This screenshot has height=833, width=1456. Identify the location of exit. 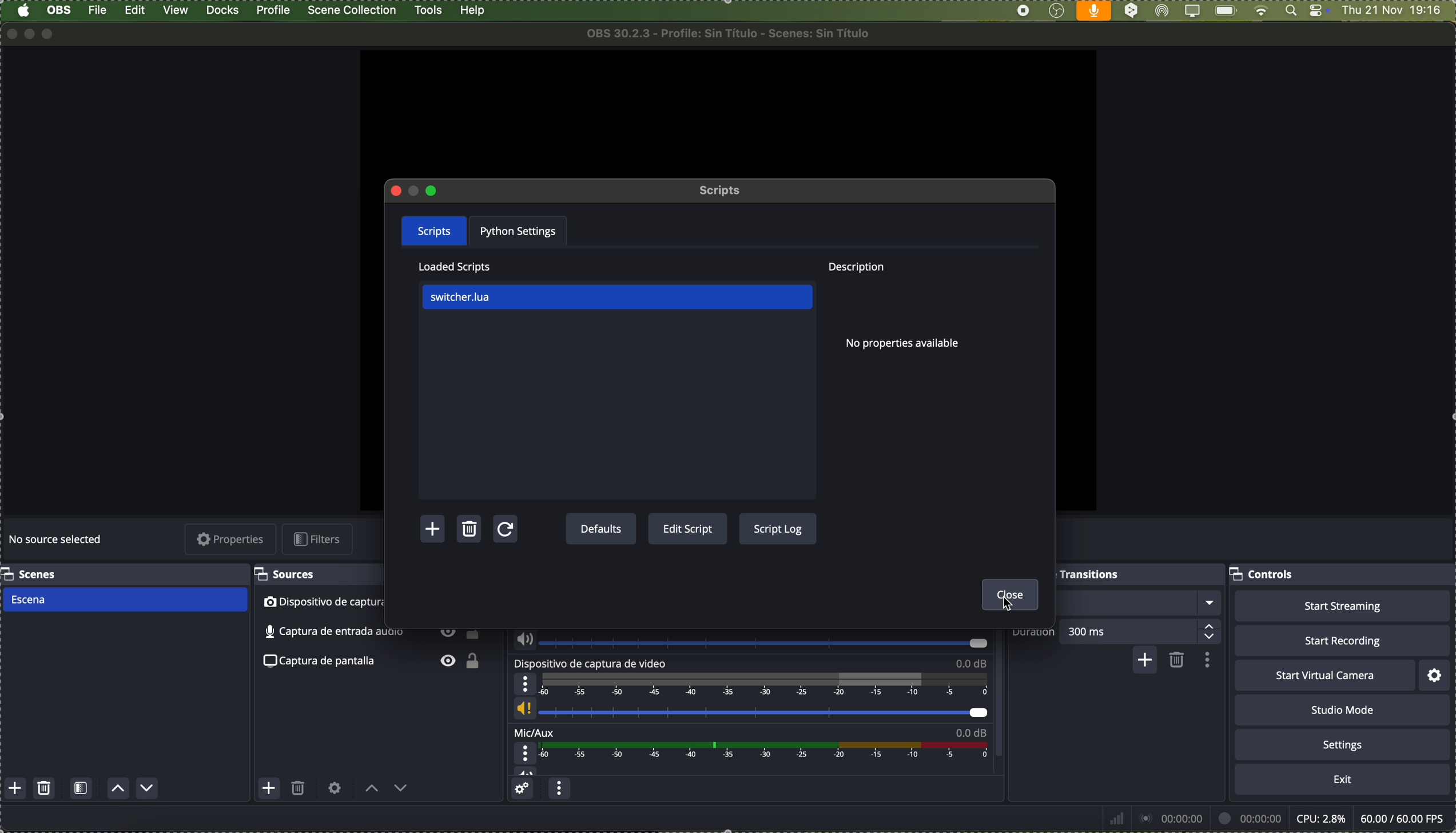
(1343, 780).